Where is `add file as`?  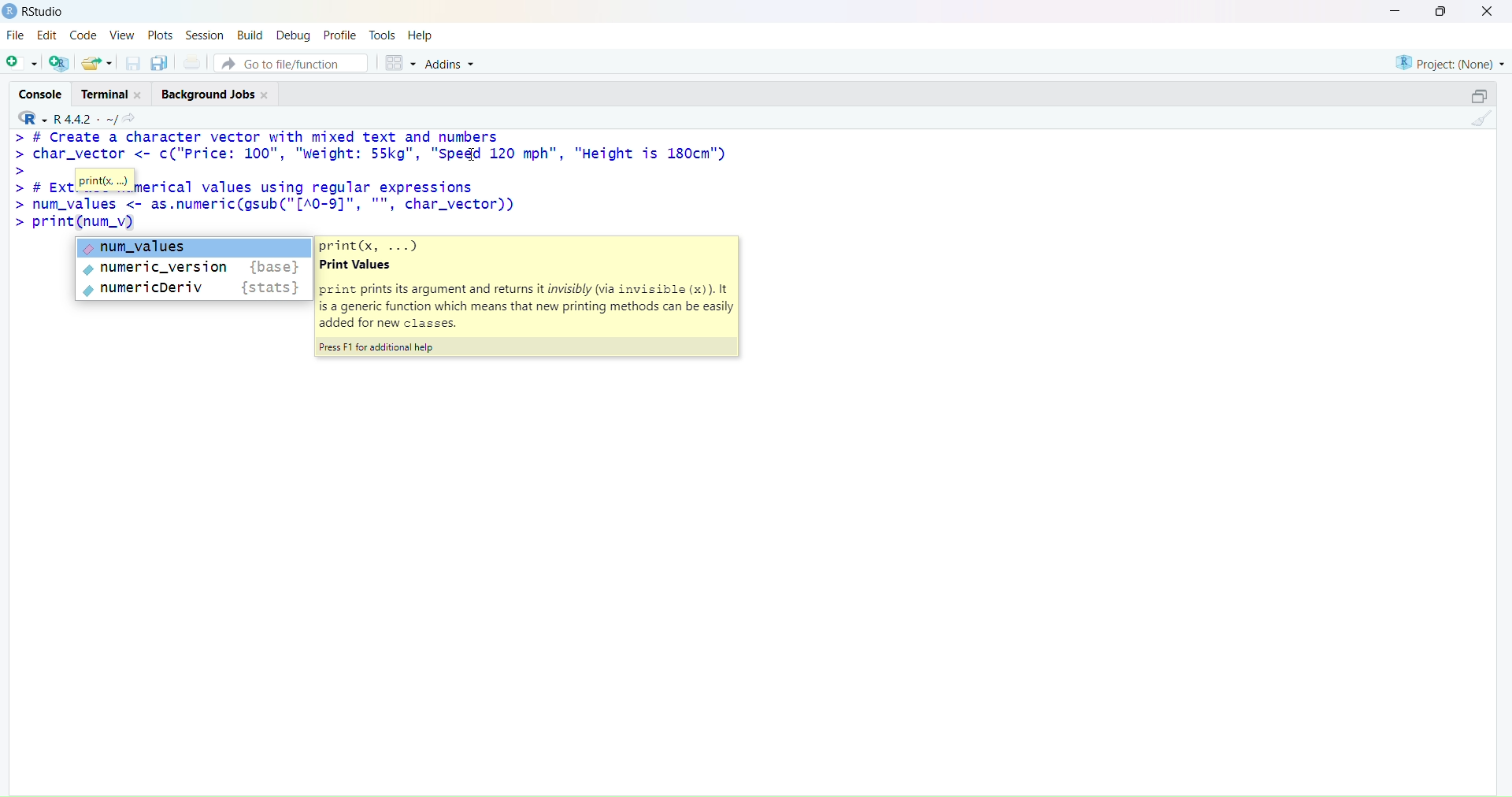 add file as is located at coordinates (22, 64).